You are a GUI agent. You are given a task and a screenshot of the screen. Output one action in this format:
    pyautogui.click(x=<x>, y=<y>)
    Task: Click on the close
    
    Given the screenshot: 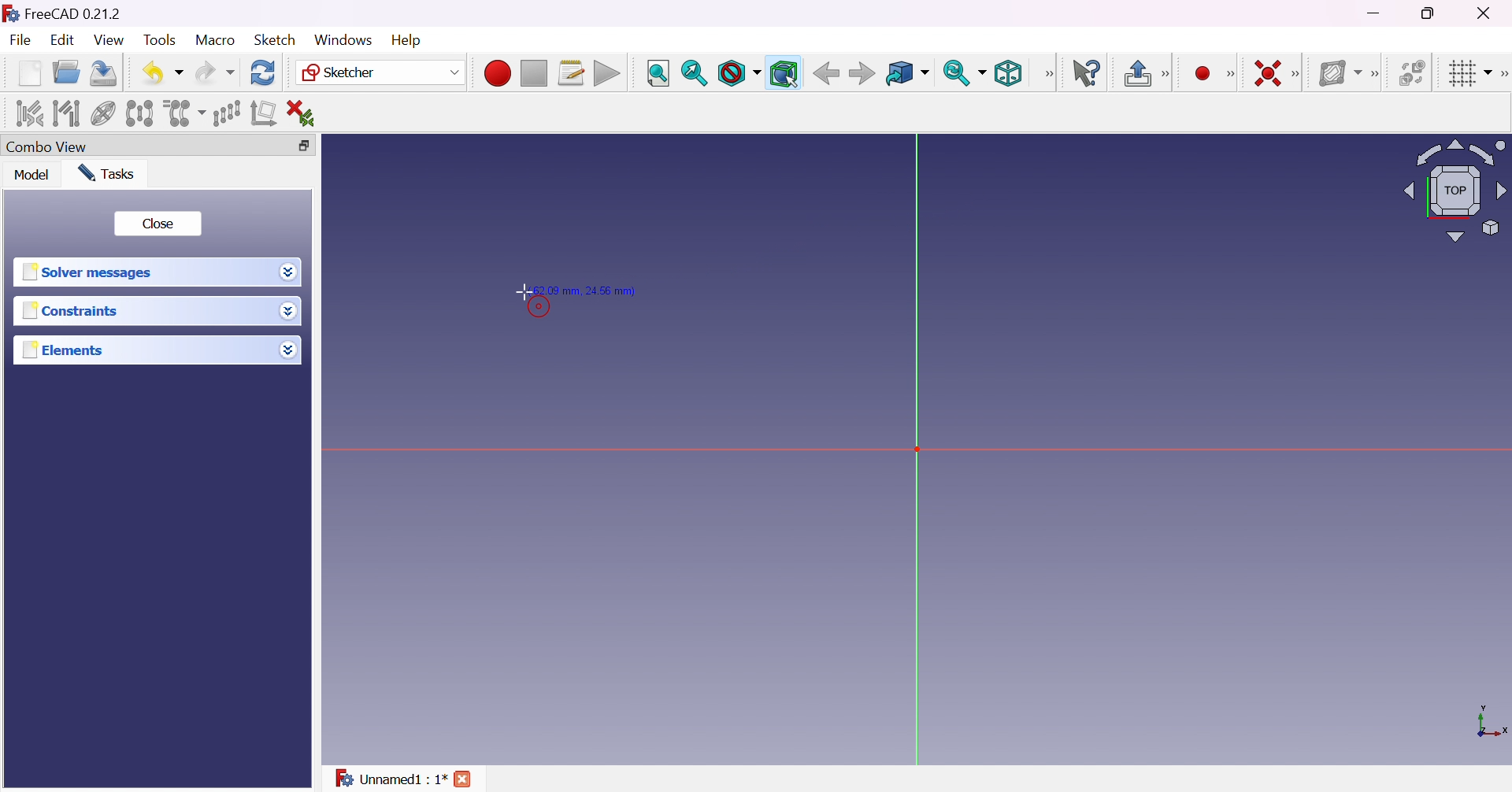 What is the action you would take?
    pyautogui.click(x=465, y=779)
    